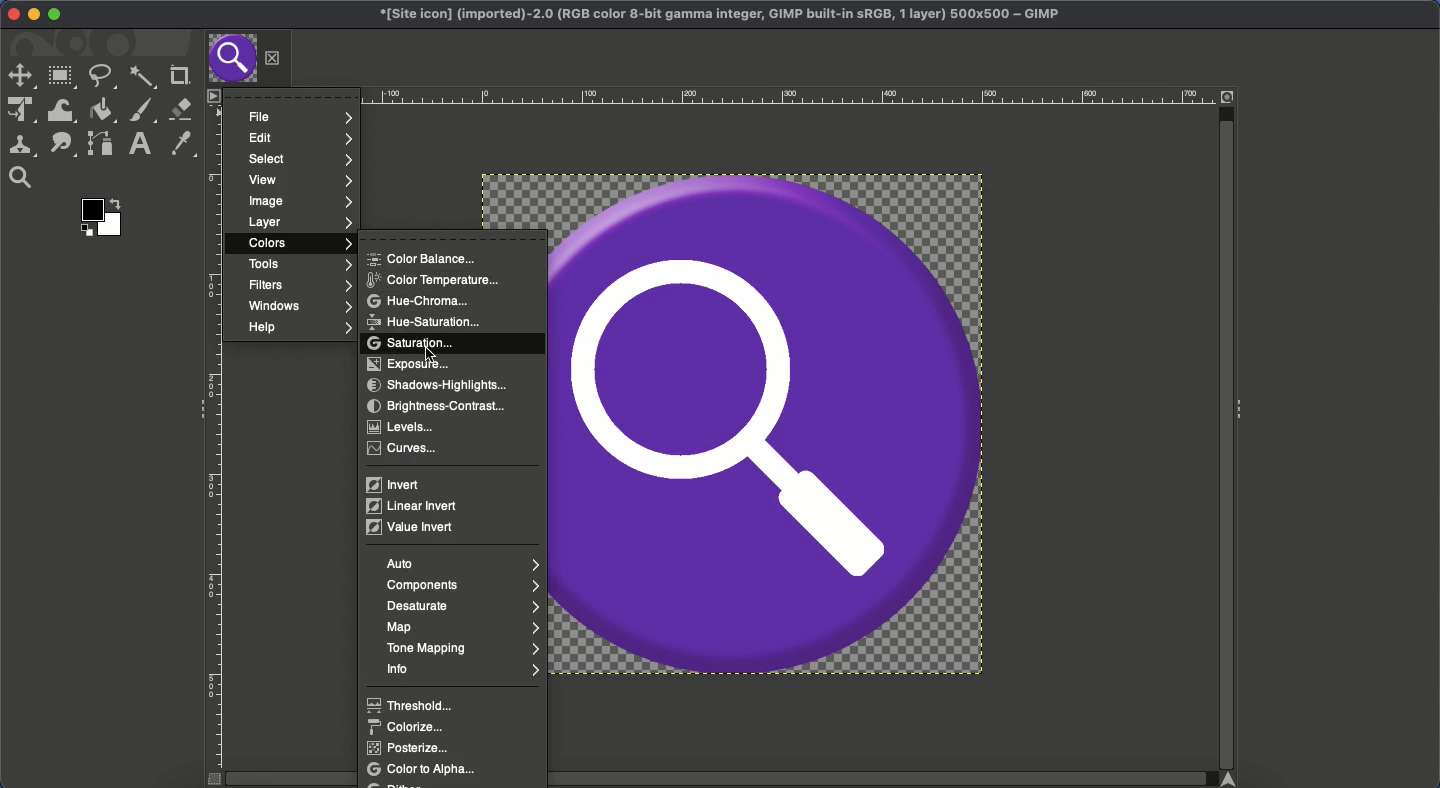  What do you see at coordinates (724, 13) in the screenshot?
I see `GIMP project` at bounding box center [724, 13].